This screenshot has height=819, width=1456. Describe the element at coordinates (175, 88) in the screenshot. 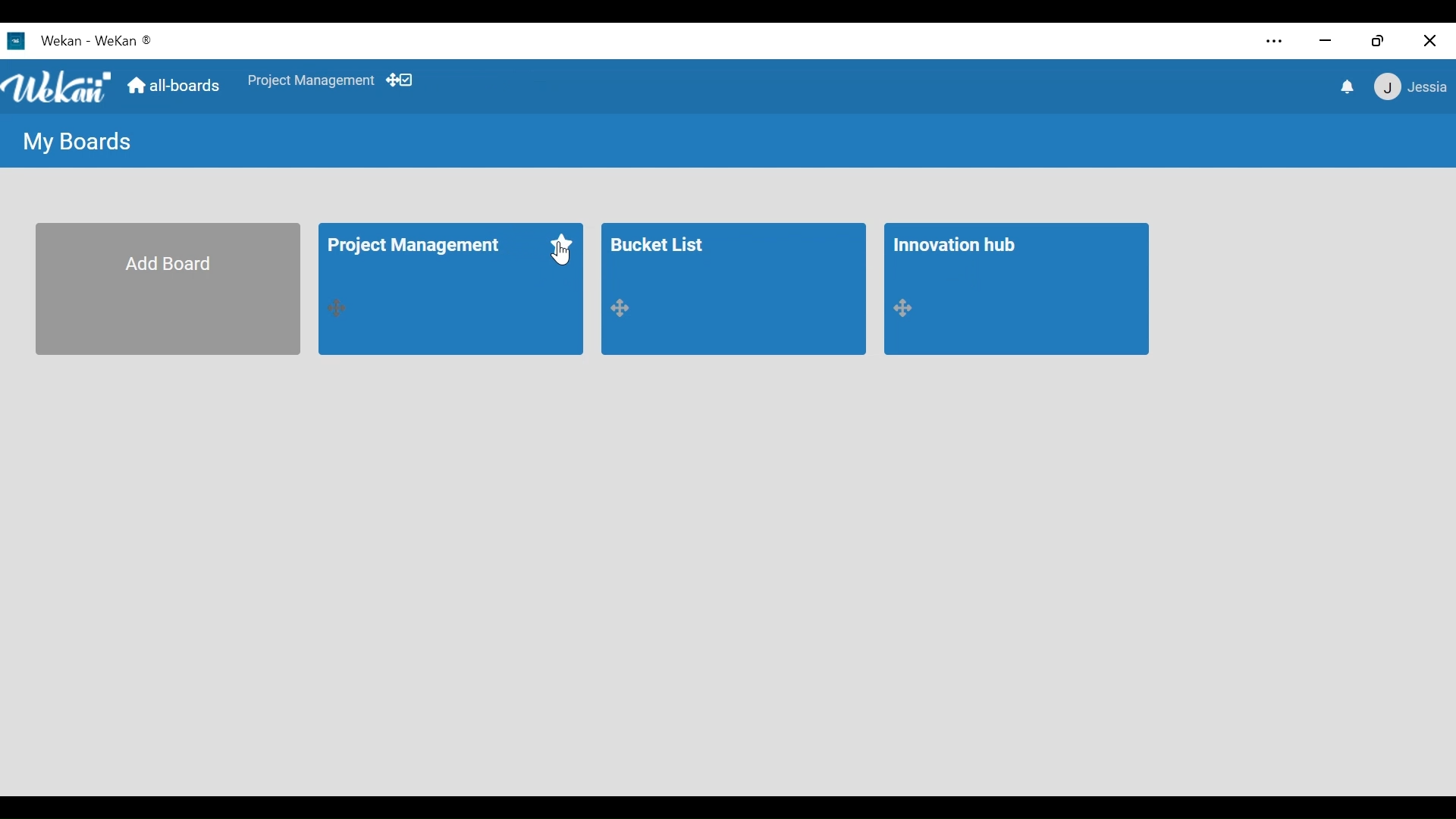

I see `Go to Home View (all-boards)` at that location.